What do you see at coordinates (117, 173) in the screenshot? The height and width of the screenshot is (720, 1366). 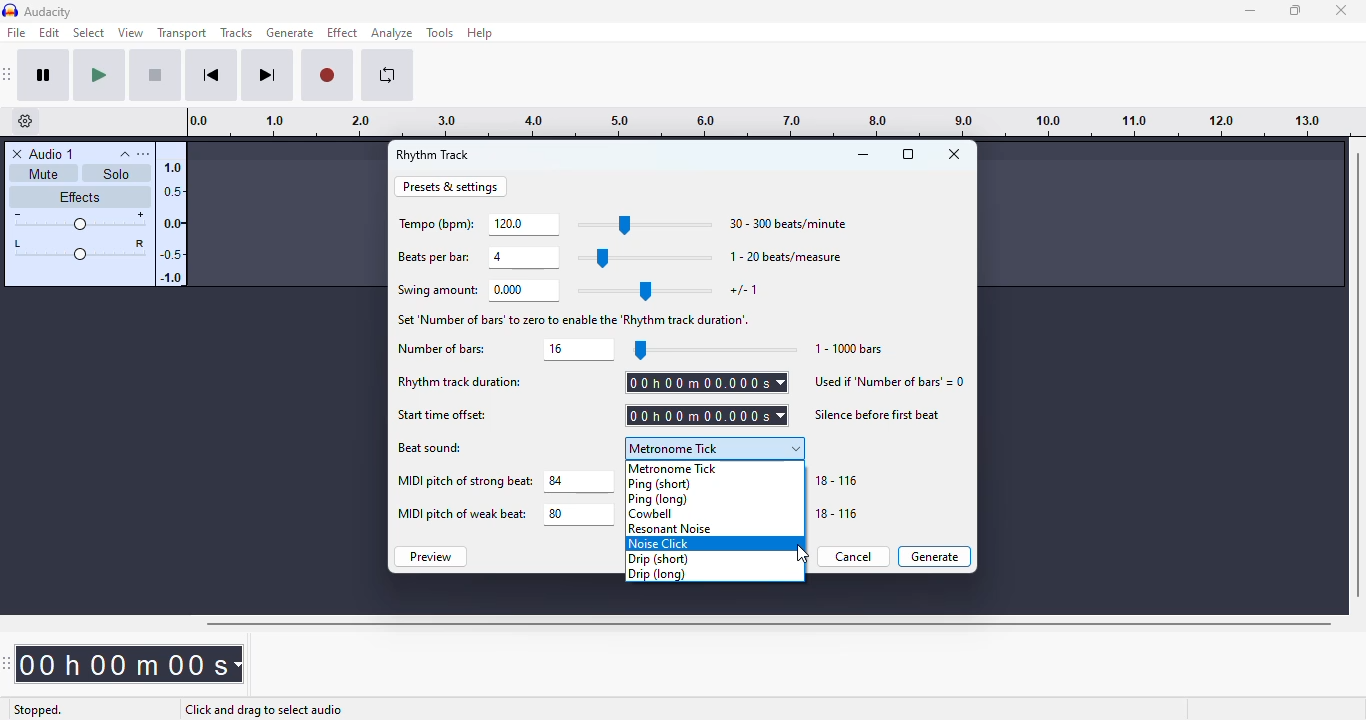 I see `solo` at bounding box center [117, 173].